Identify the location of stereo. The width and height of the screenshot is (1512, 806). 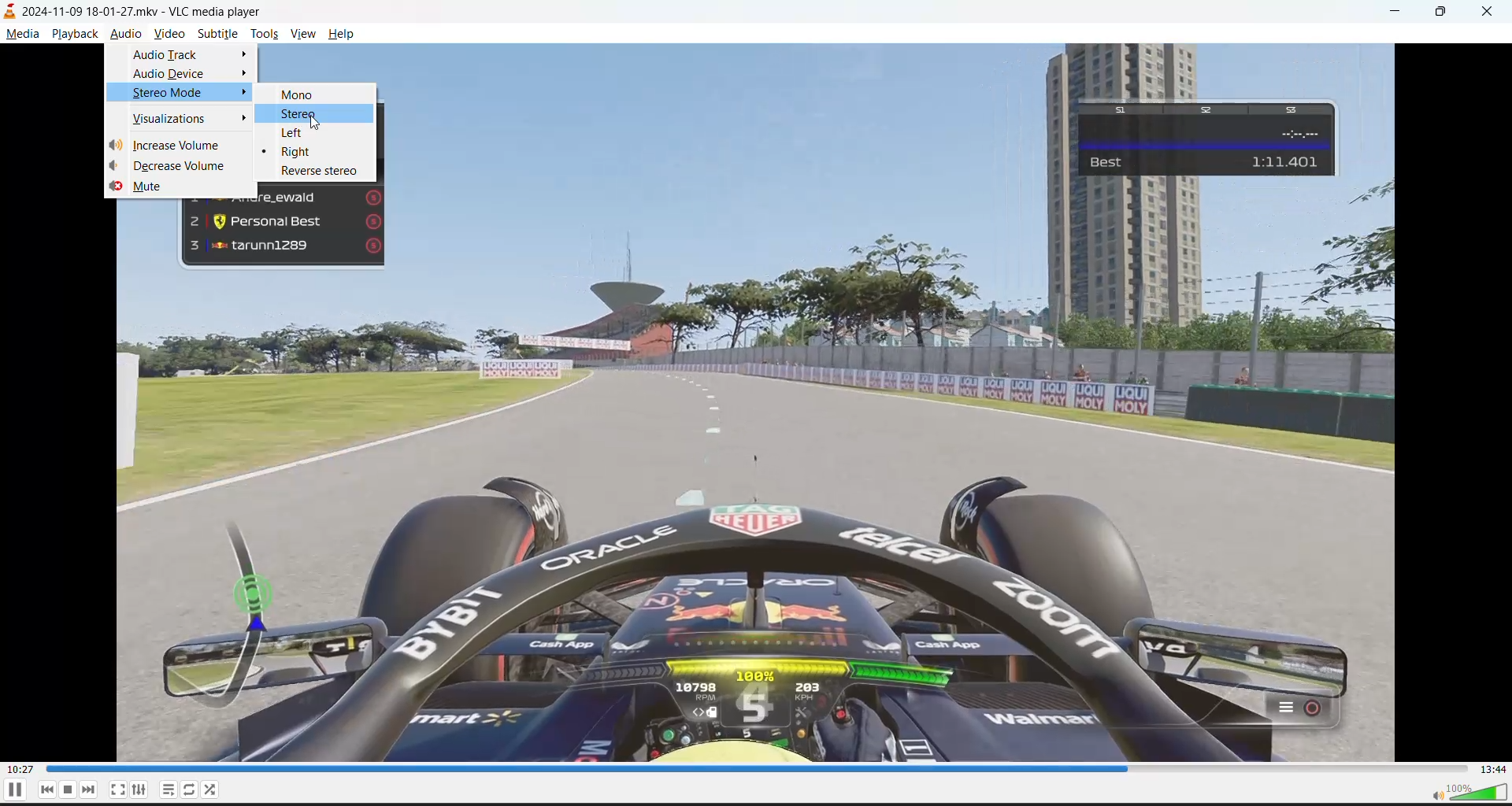
(303, 115).